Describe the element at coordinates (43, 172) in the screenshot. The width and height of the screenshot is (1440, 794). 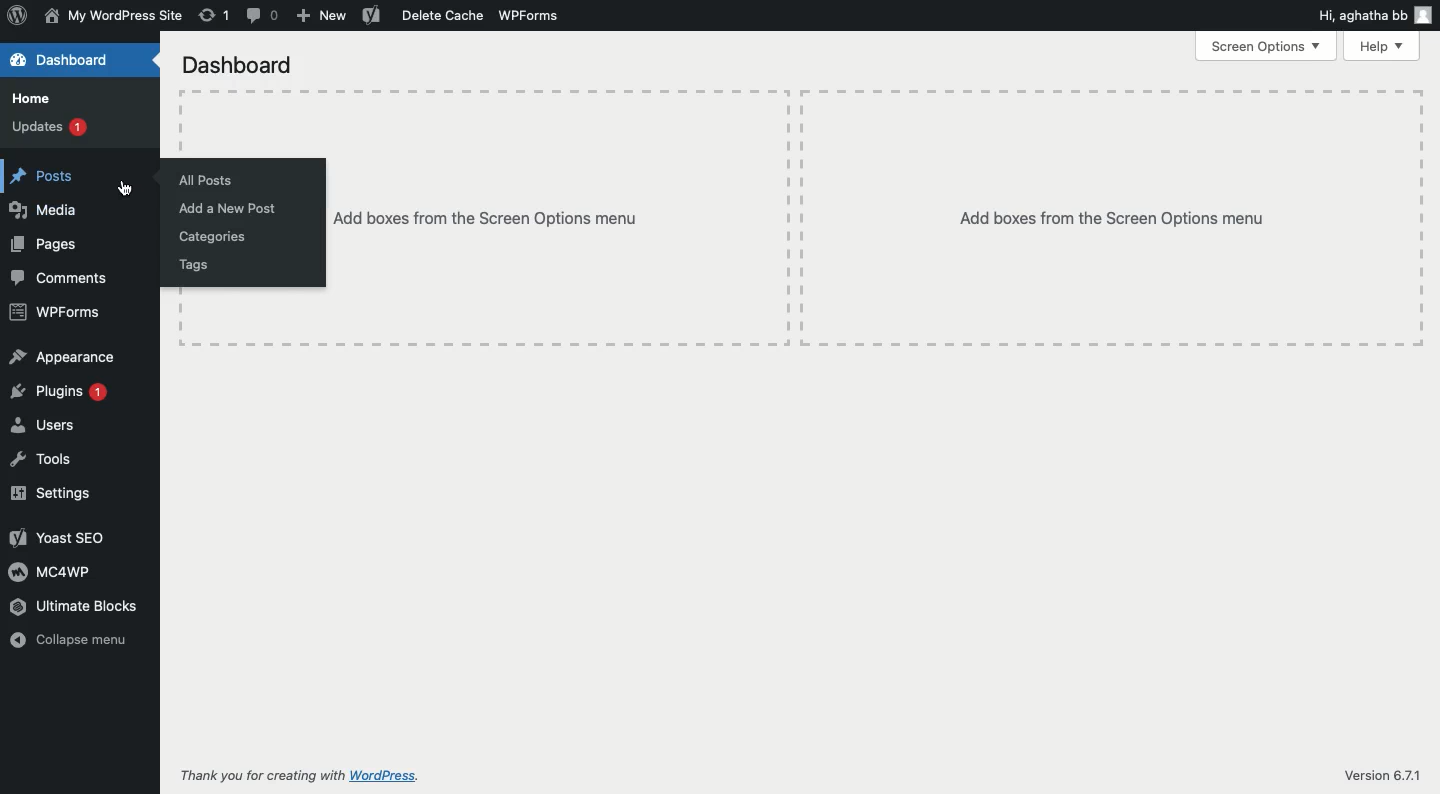
I see `Posts` at that location.